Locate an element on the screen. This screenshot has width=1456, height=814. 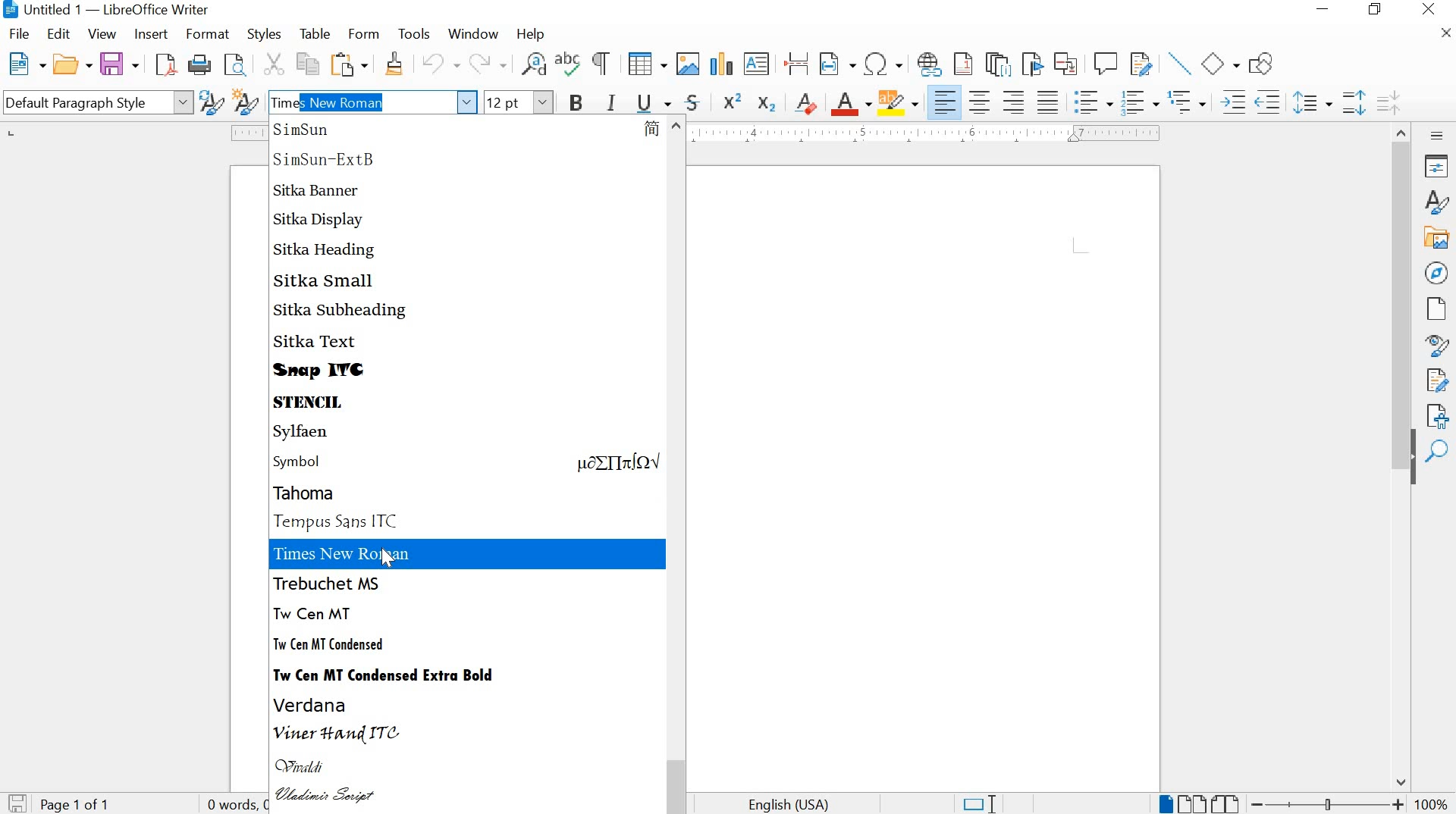
STRIKETHROUGH is located at coordinates (692, 105).